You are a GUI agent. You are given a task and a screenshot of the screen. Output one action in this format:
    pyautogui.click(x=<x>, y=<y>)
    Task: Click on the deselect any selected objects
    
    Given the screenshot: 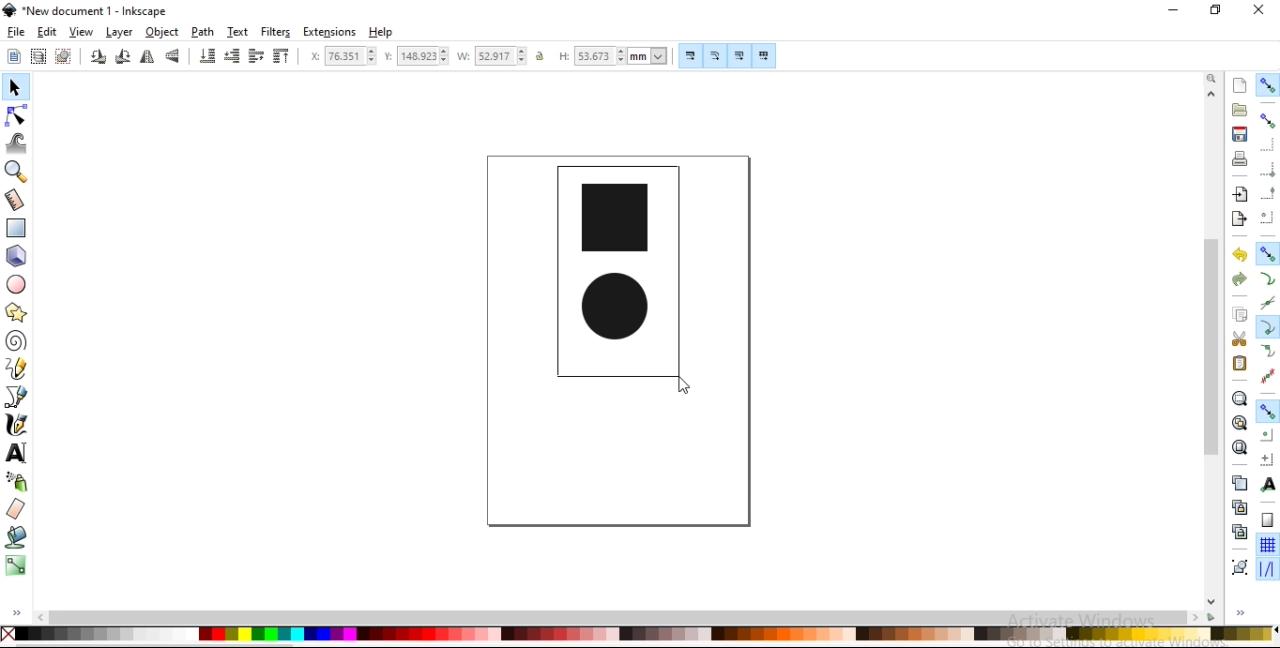 What is the action you would take?
    pyautogui.click(x=66, y=57)
    